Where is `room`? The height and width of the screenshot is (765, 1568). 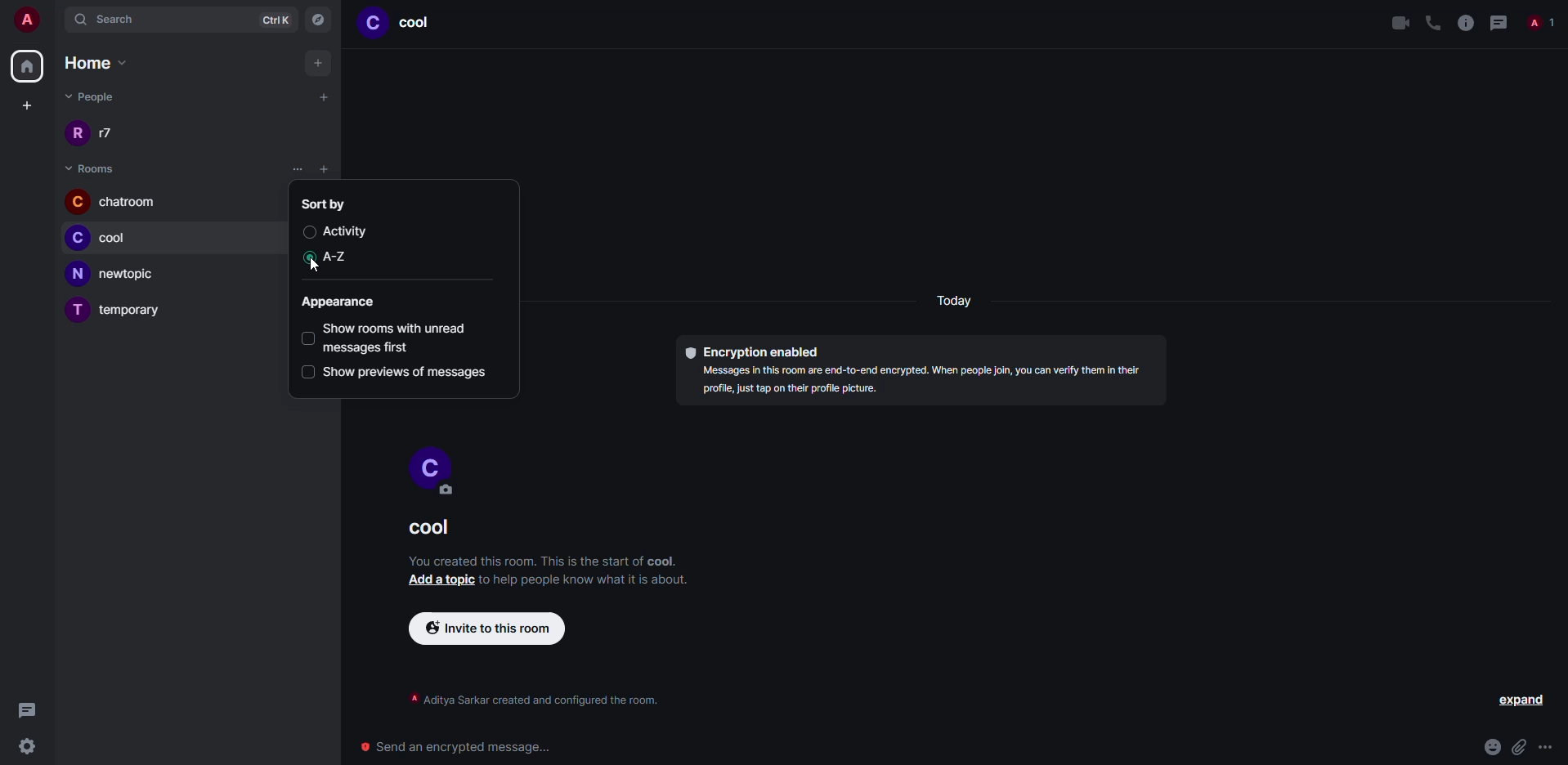 room is located at coordinates (422, 530).